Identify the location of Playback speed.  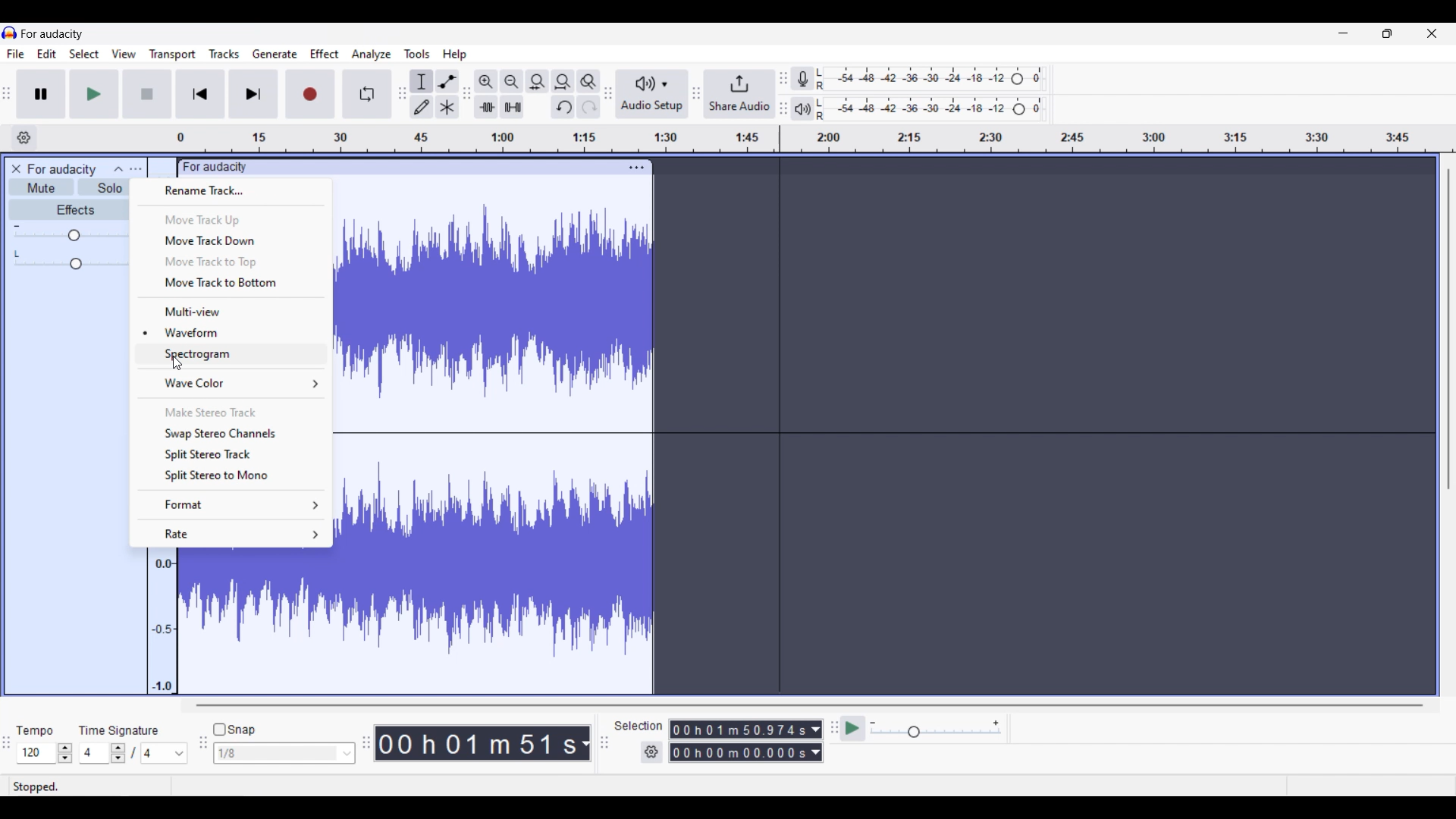
(937, 728).